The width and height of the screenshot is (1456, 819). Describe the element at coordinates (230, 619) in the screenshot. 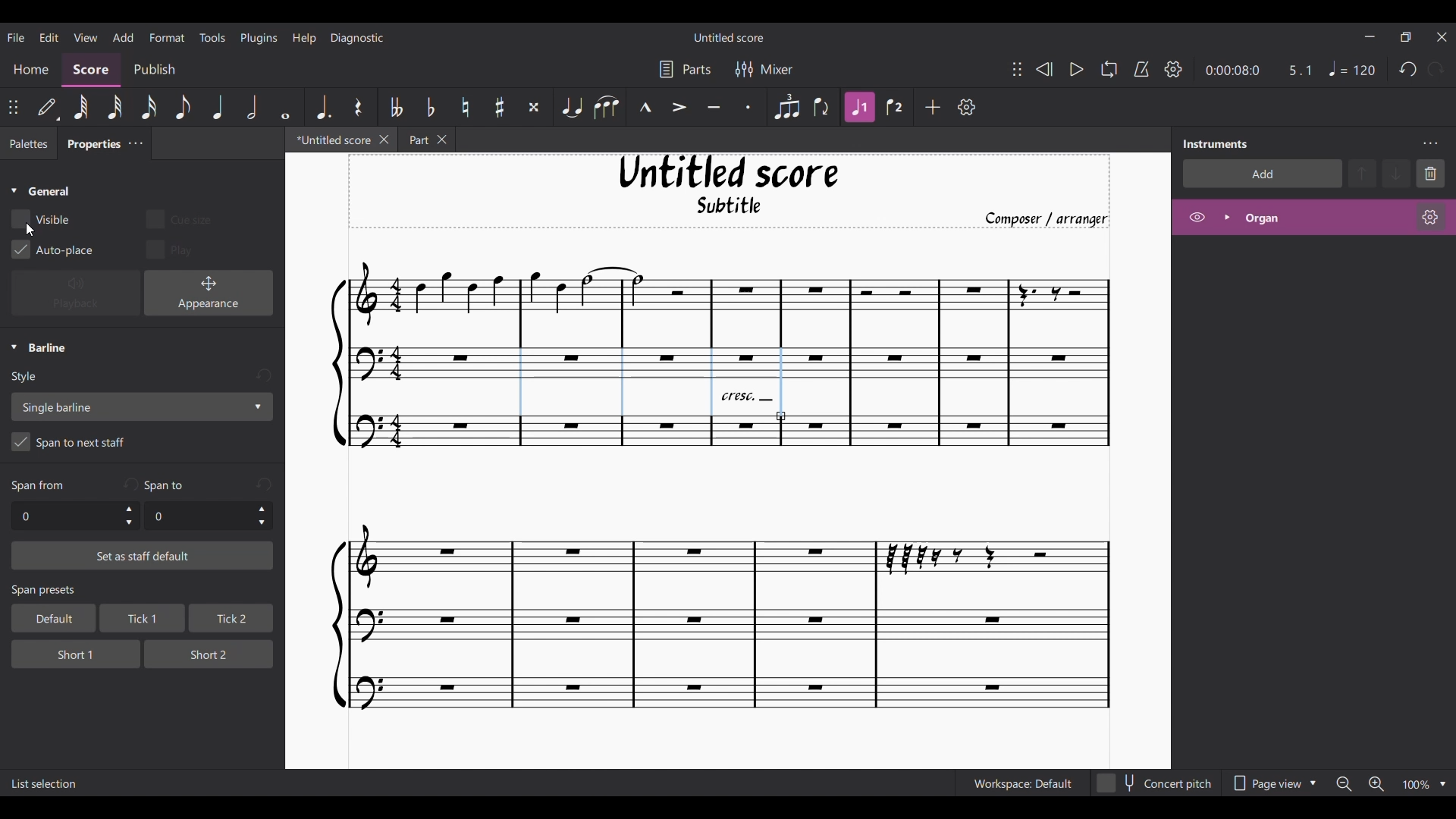

I see `tick 2` at that location.